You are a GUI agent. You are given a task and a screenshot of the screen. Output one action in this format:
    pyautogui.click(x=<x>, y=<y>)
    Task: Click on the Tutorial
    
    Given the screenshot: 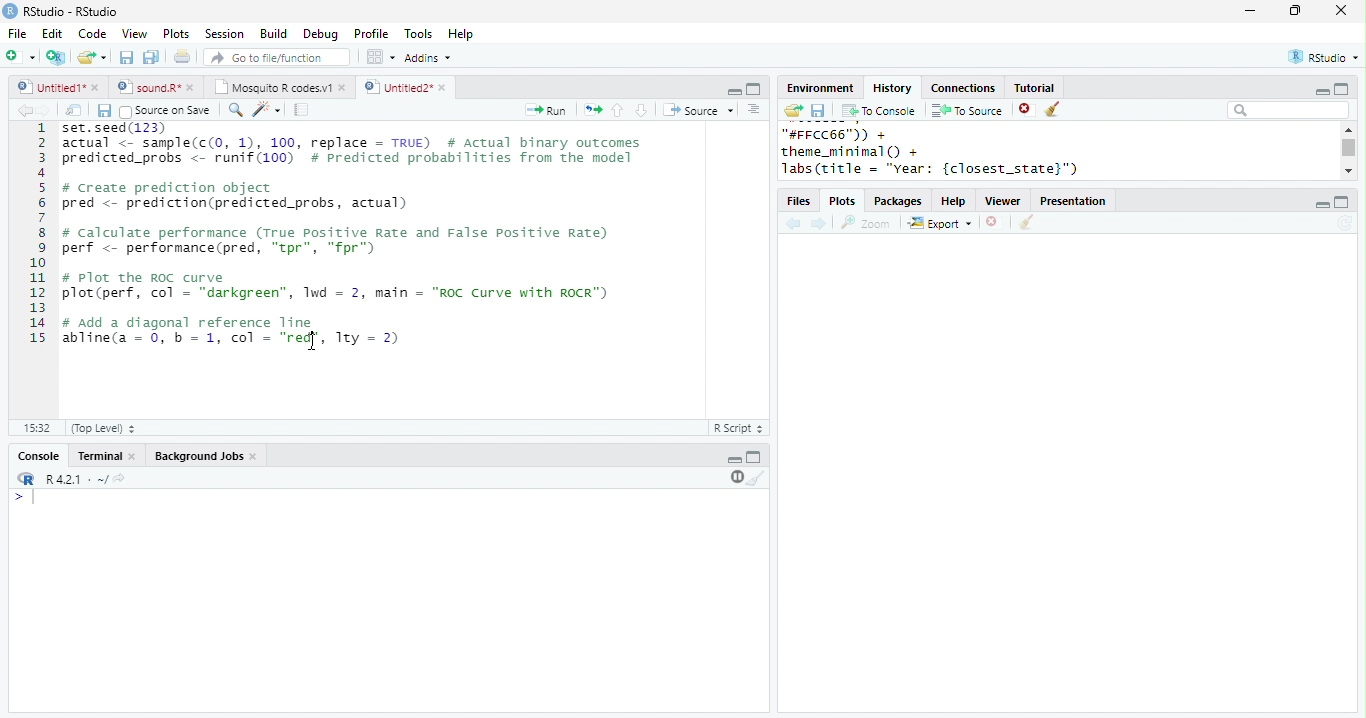 What is the action you would take?
    pyautogui.click(x=1033, y=87)
    